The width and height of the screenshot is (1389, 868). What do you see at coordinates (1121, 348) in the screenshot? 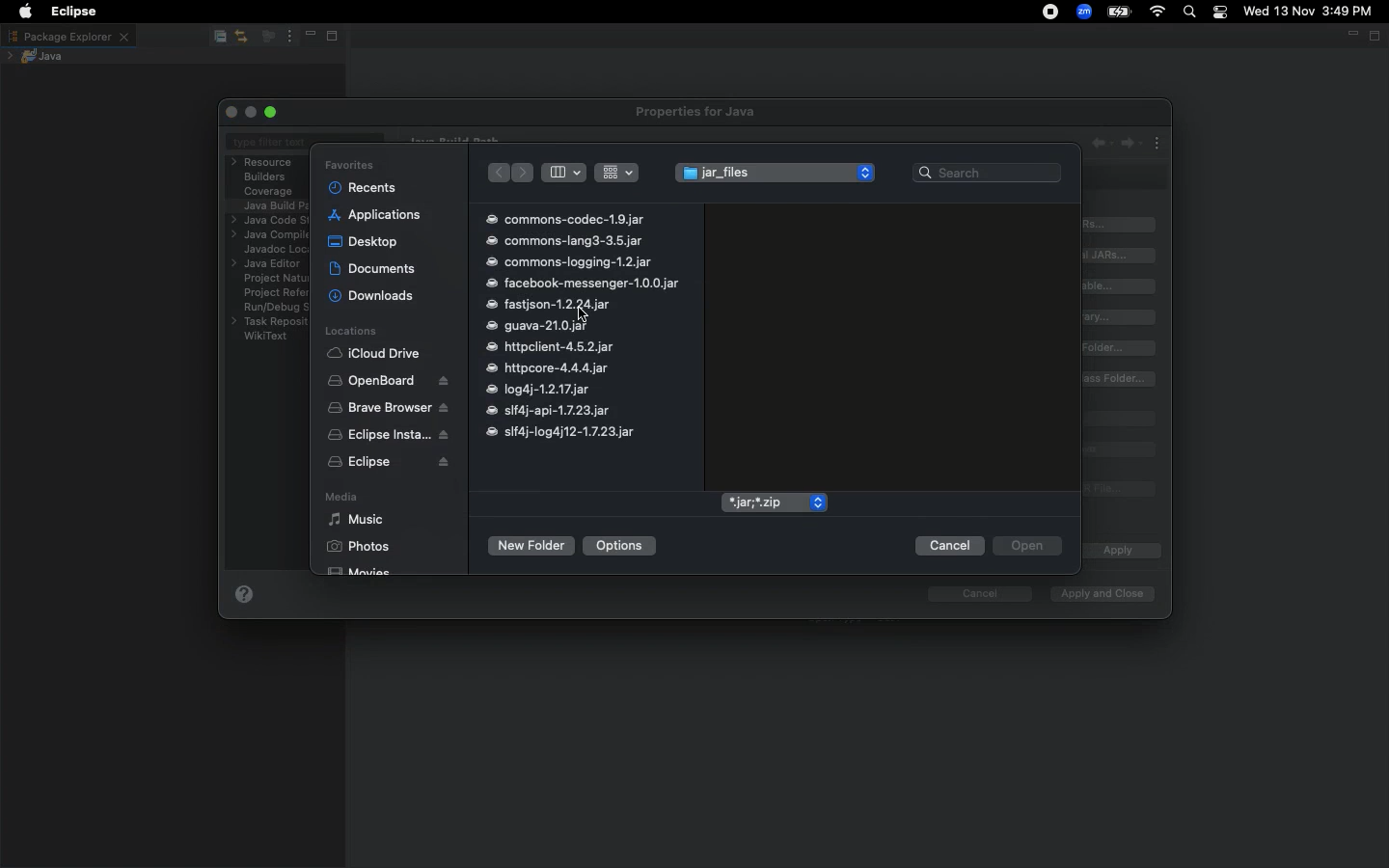
I see `Add class folder` at bounding box center [1121, 348].